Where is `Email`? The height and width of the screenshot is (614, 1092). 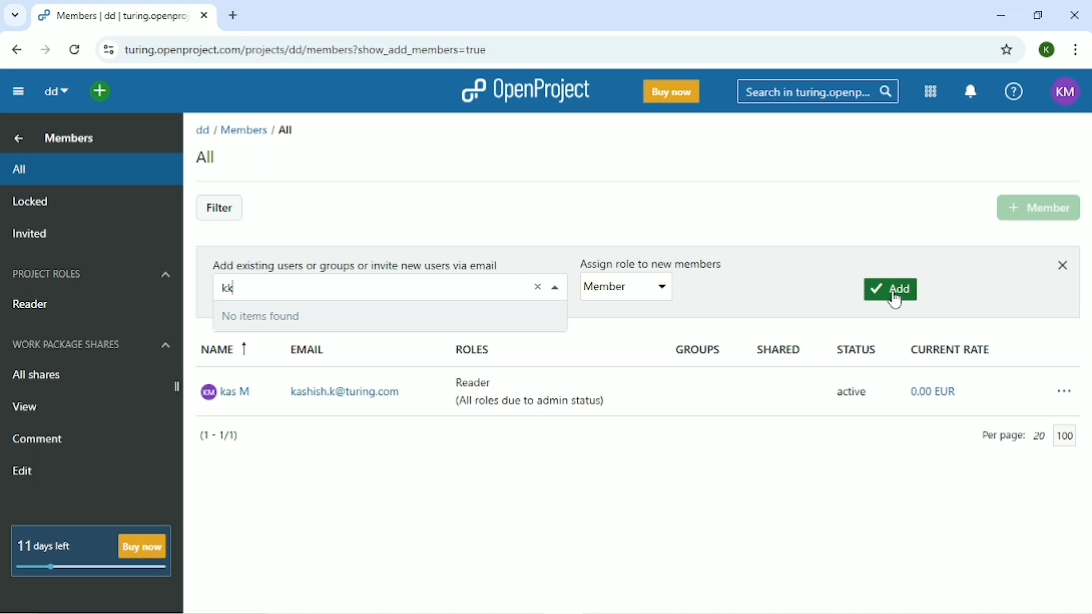 Email is located at coordinates (311, 350).